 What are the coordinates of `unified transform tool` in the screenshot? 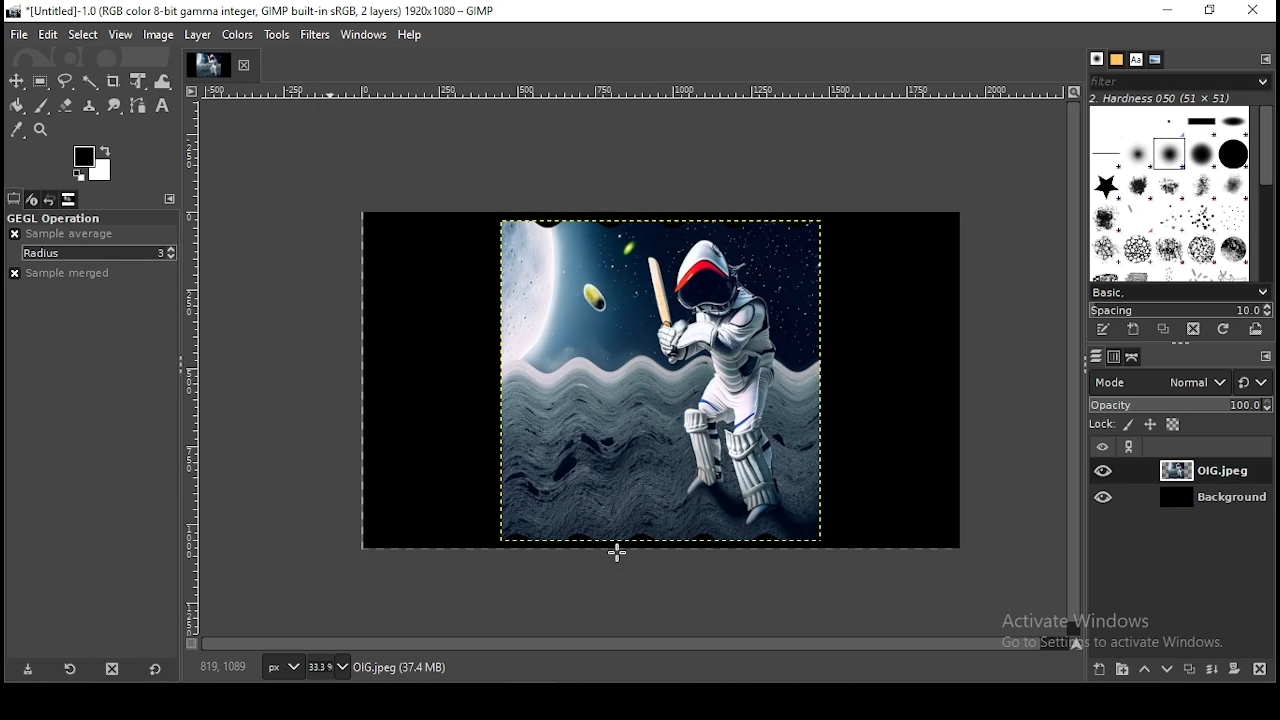 It's located at (140, 80).